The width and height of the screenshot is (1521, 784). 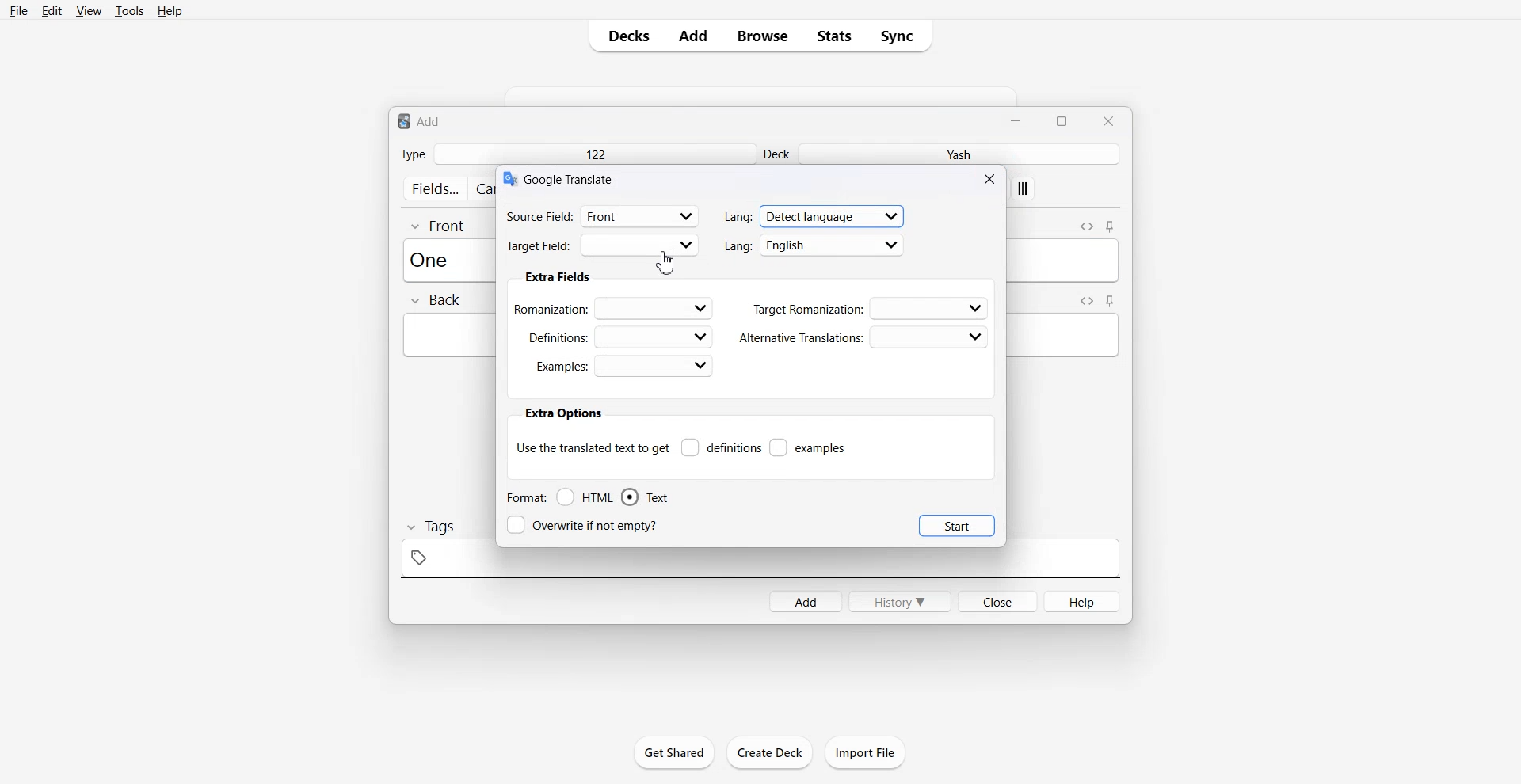 What do you see at coordinates (623, 366) in the screenshot?
I see `Examples` at bounding box center [623, 366].